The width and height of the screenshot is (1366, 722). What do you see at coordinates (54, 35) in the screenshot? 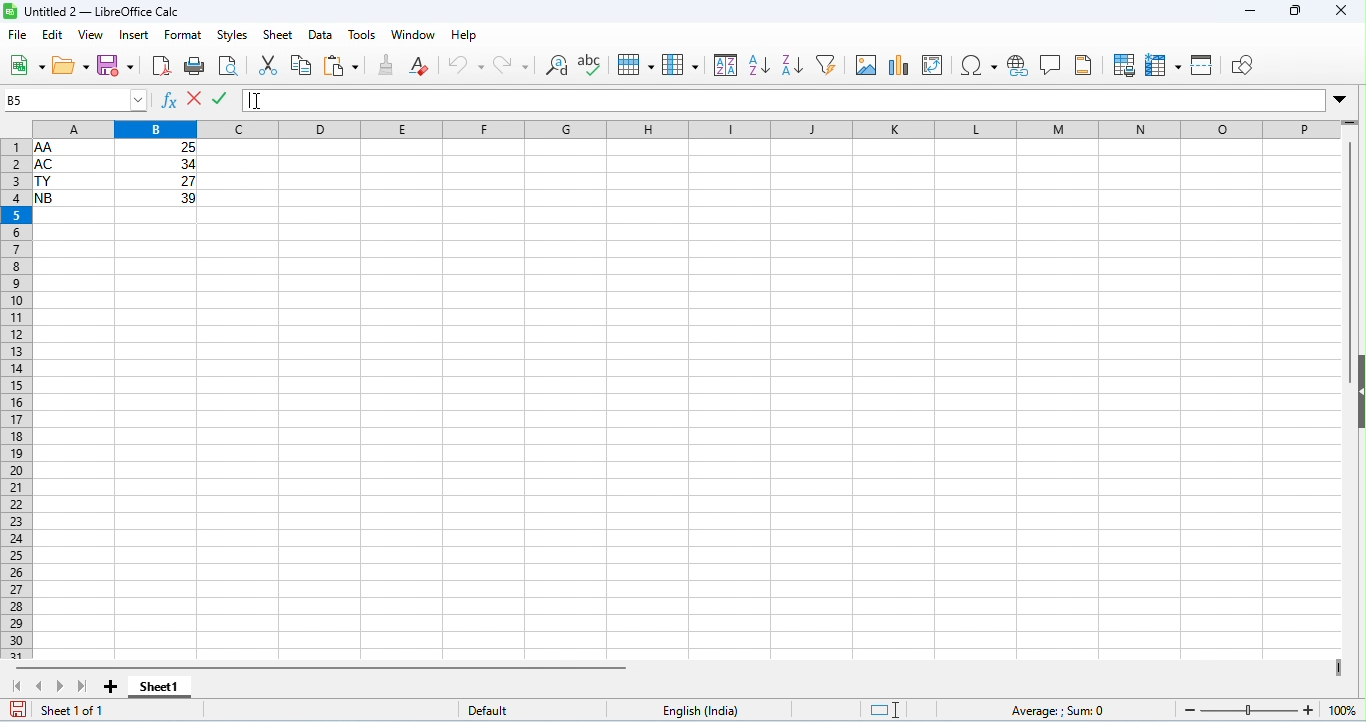
I see `edit` at bounding box center [54, 35].